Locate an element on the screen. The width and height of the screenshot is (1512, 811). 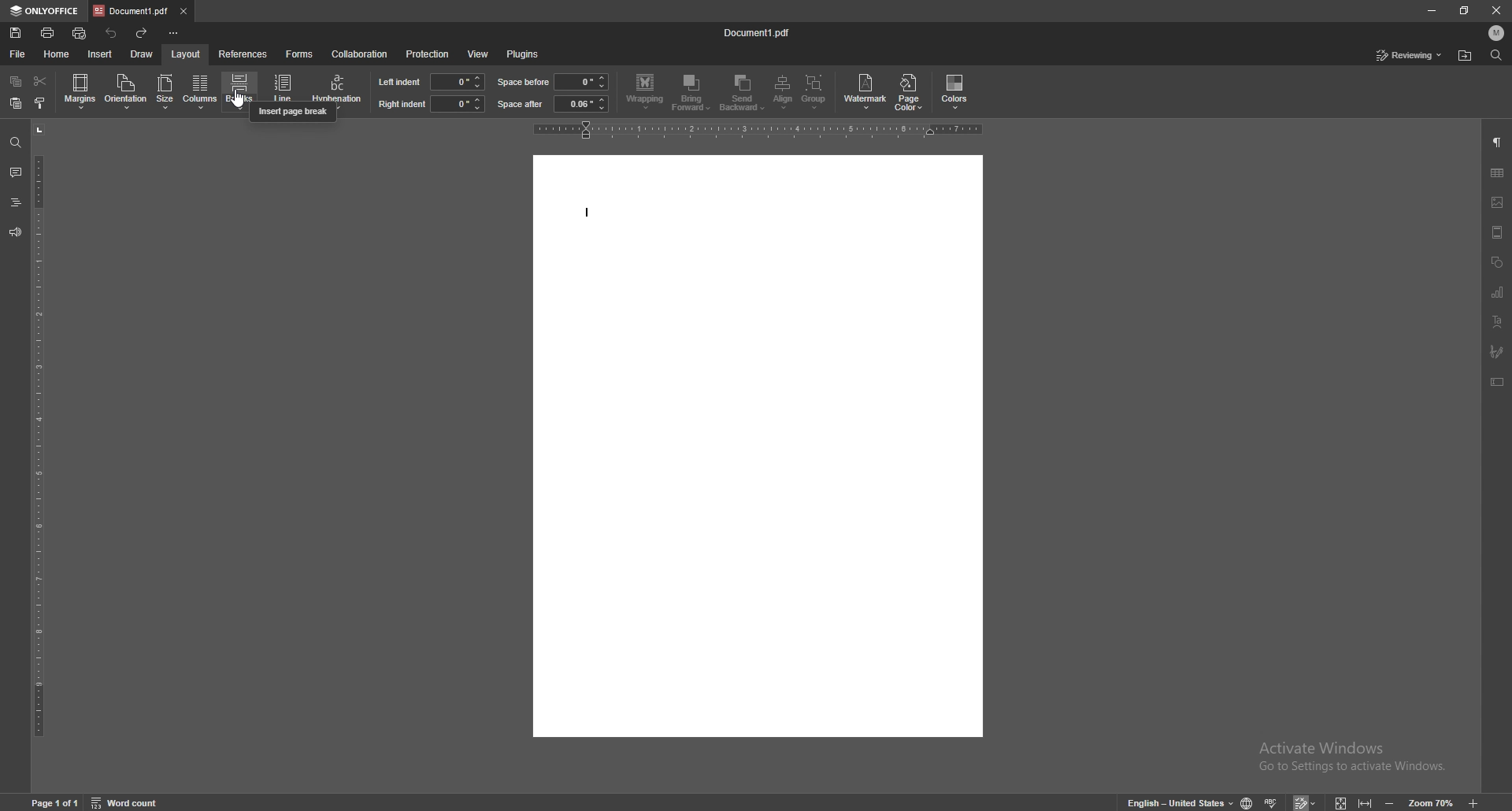
Zoom in is located at coordinates (1476, 802).